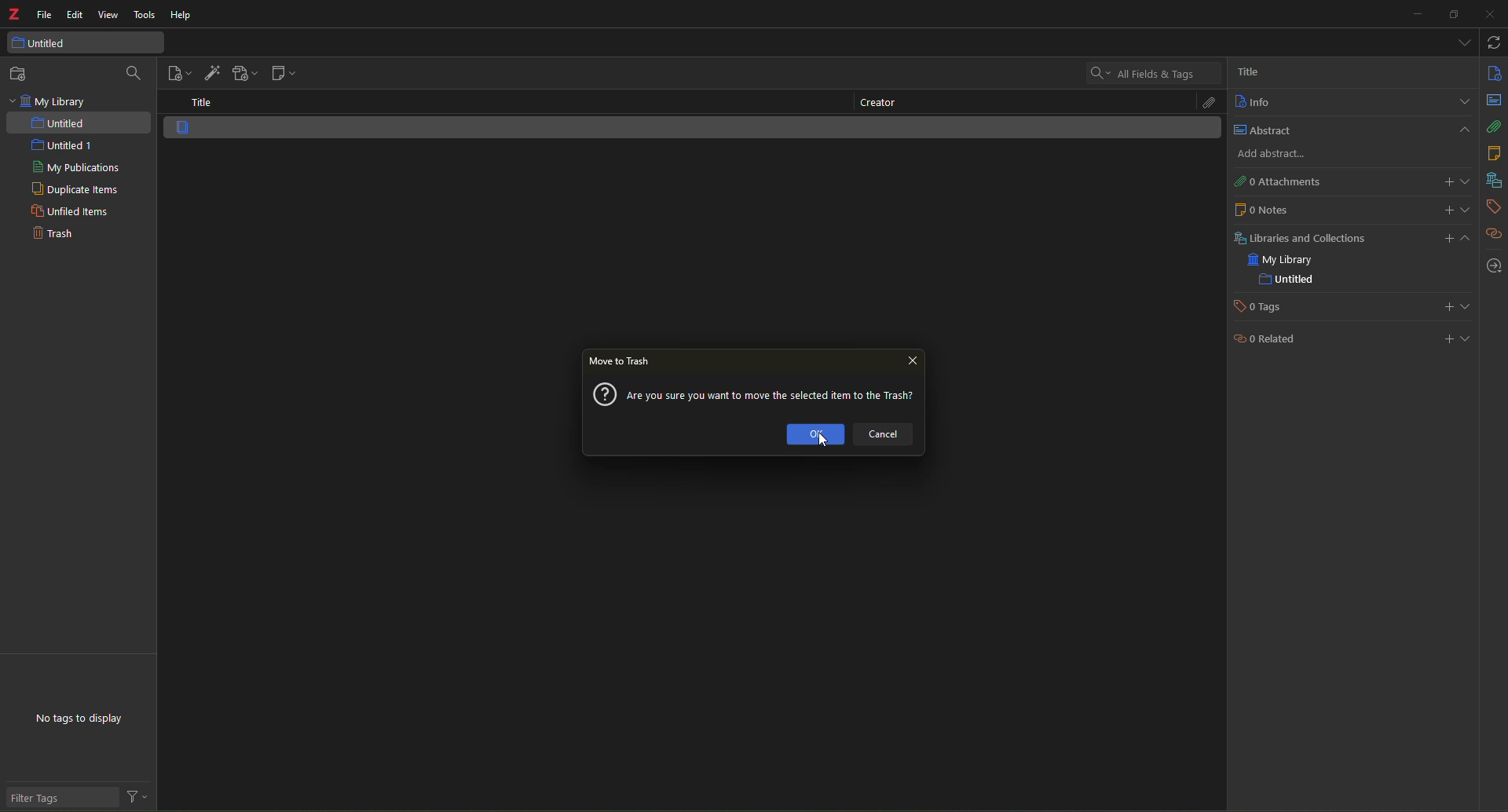 This screenshot has width=1508, height=812. What do you see at coordinates (1495, 126) in the screenshot?
I see `attach` at bounding box center [1495, 126].